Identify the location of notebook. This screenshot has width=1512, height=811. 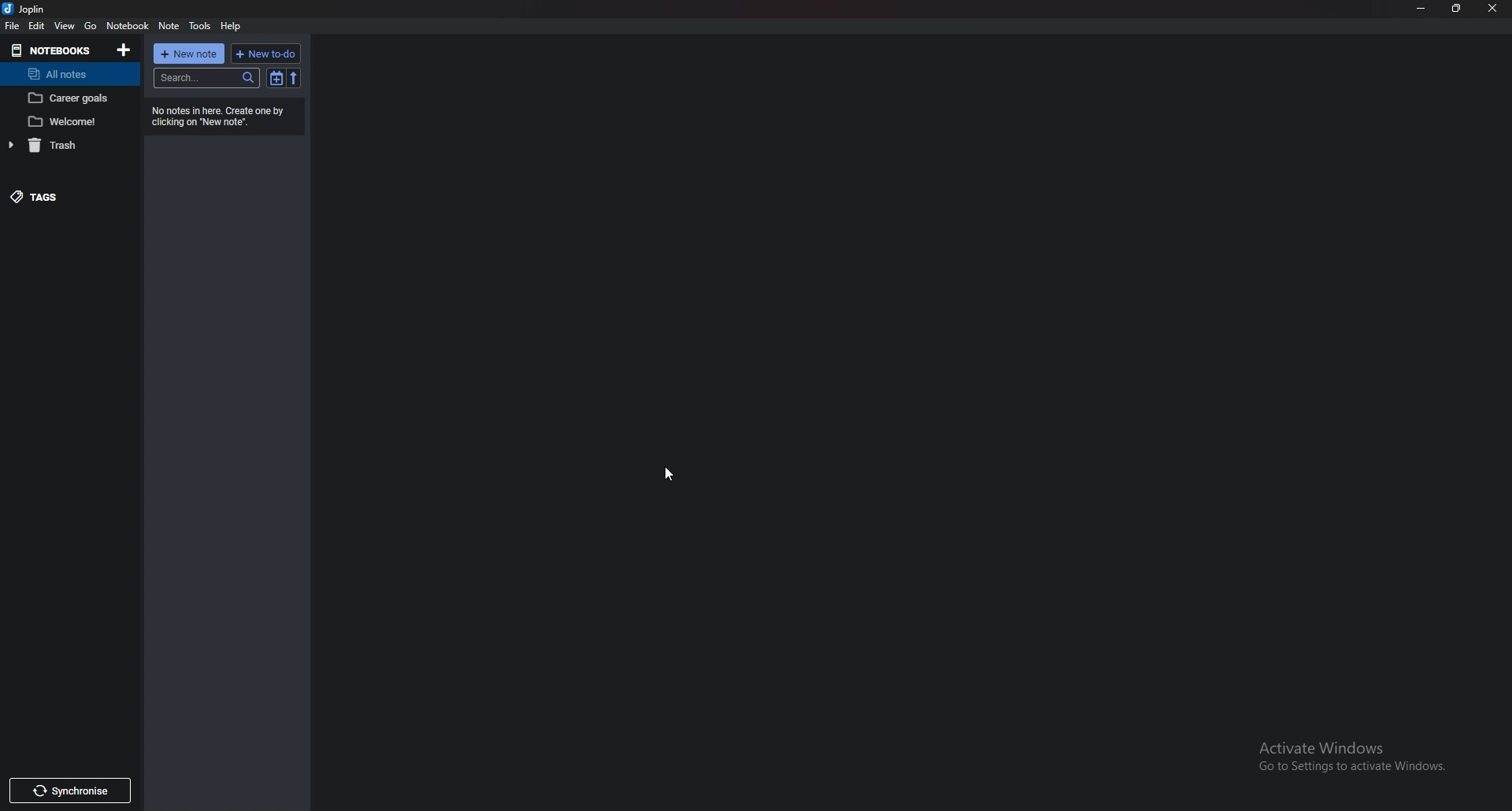
(128, 26).